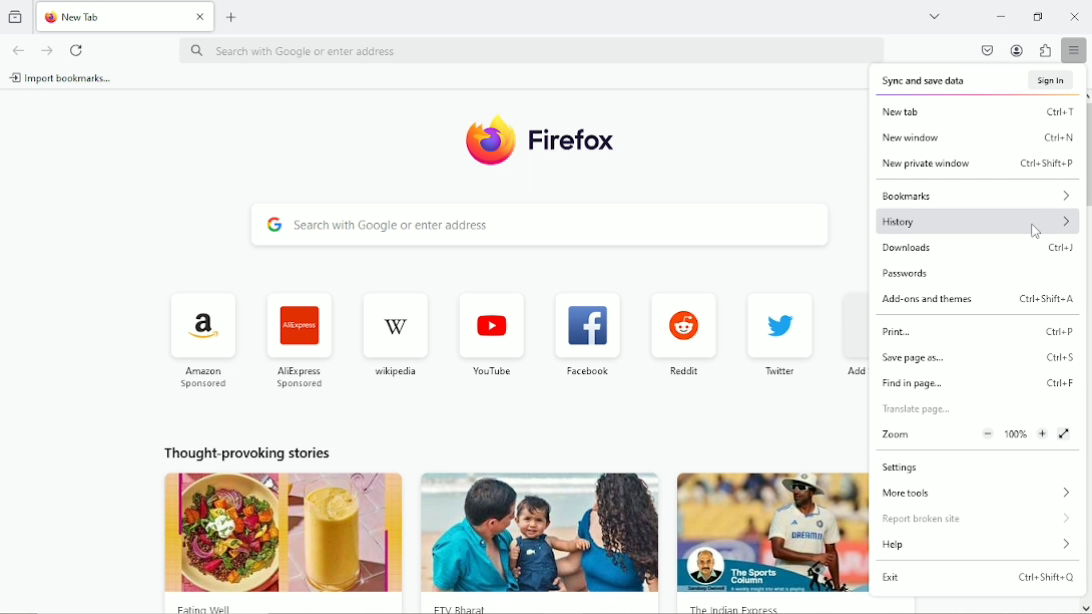 The height and width of the screenshot is (614, 1092). Describe the element at coordinates (935, 14) in the screenshot. I see `list all tabs` at that location.